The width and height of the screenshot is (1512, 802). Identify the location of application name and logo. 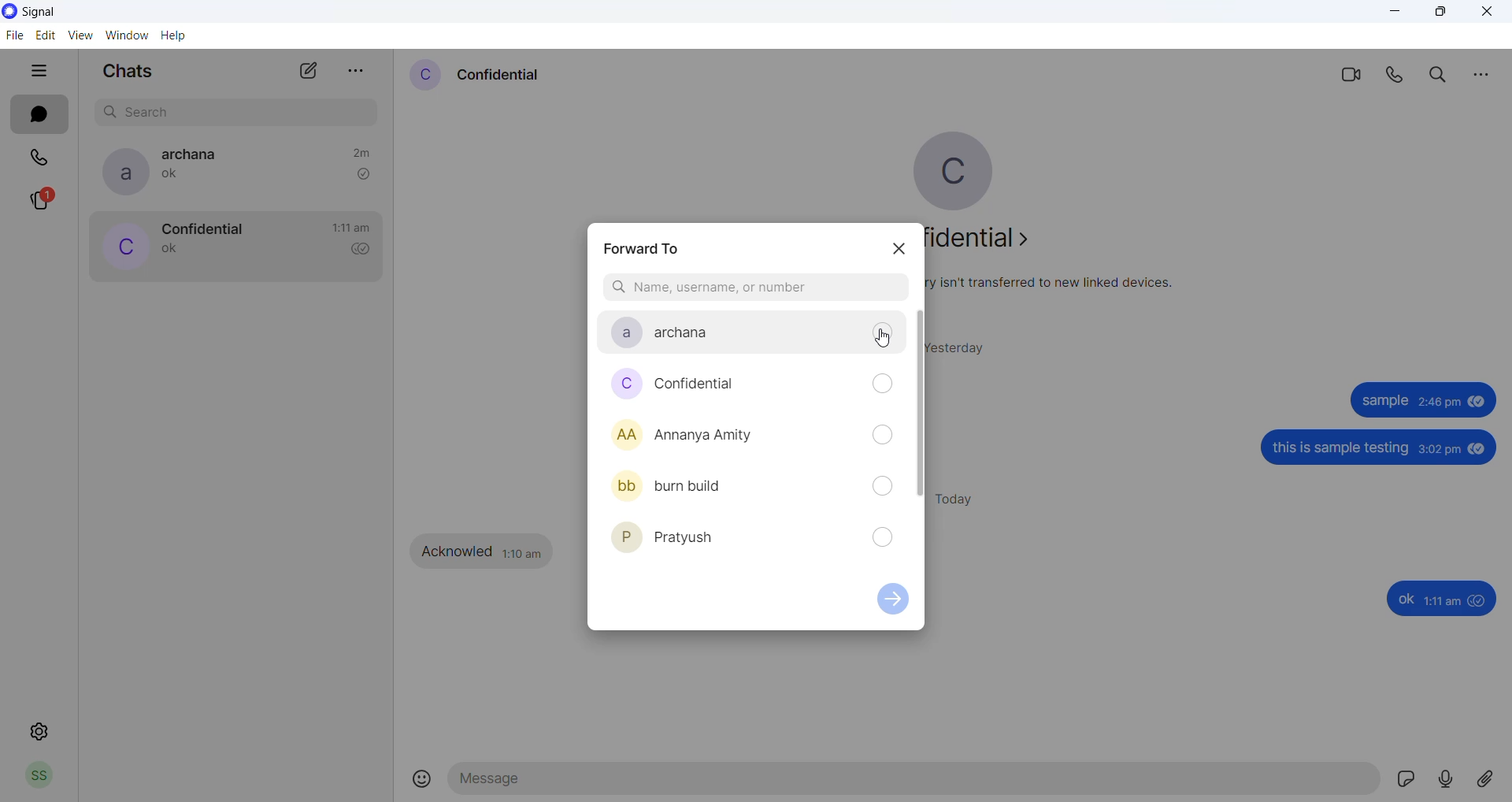
(54, 11).